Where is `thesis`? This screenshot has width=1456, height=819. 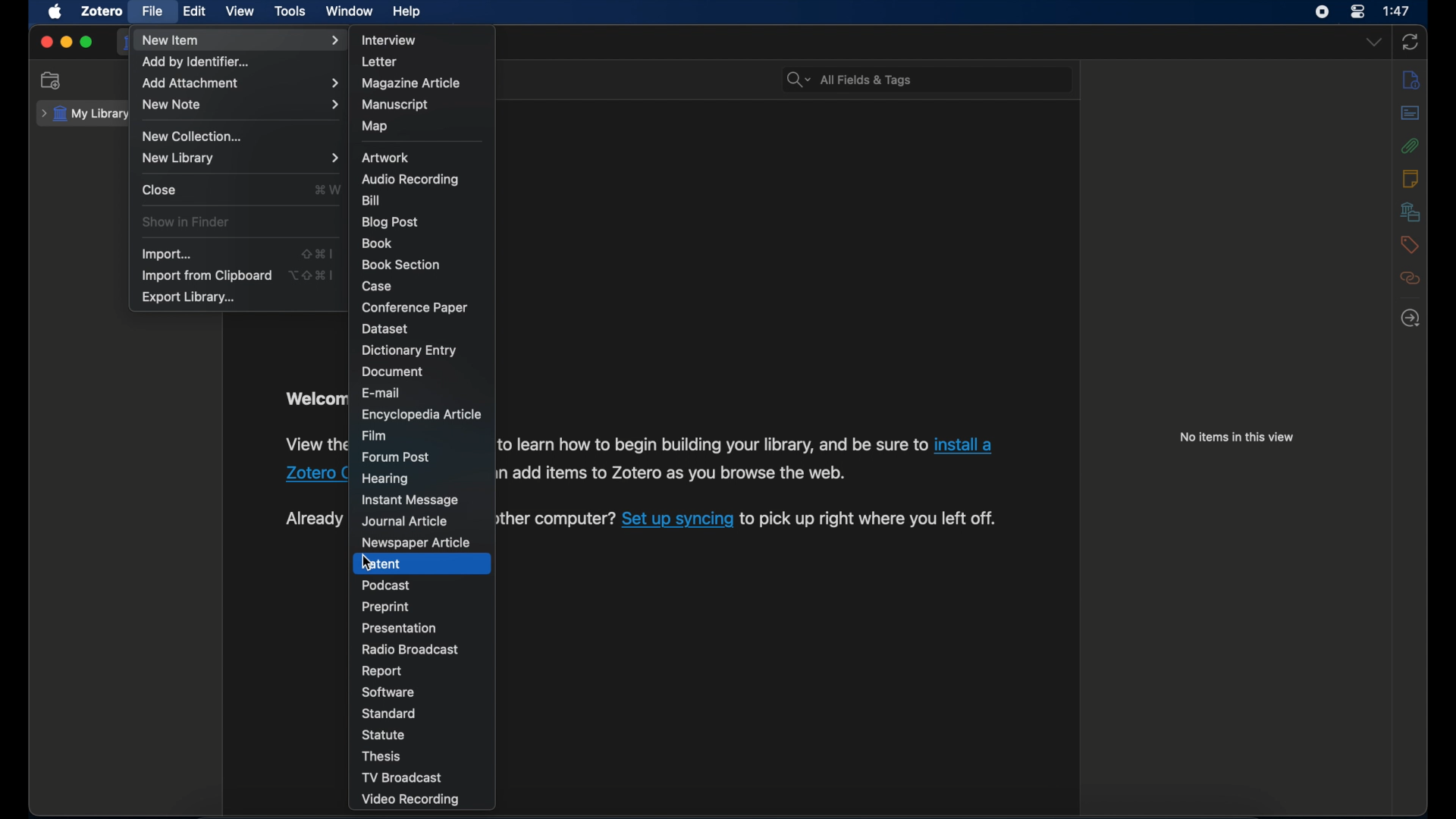 thesis is located at coordinates (383, 757).